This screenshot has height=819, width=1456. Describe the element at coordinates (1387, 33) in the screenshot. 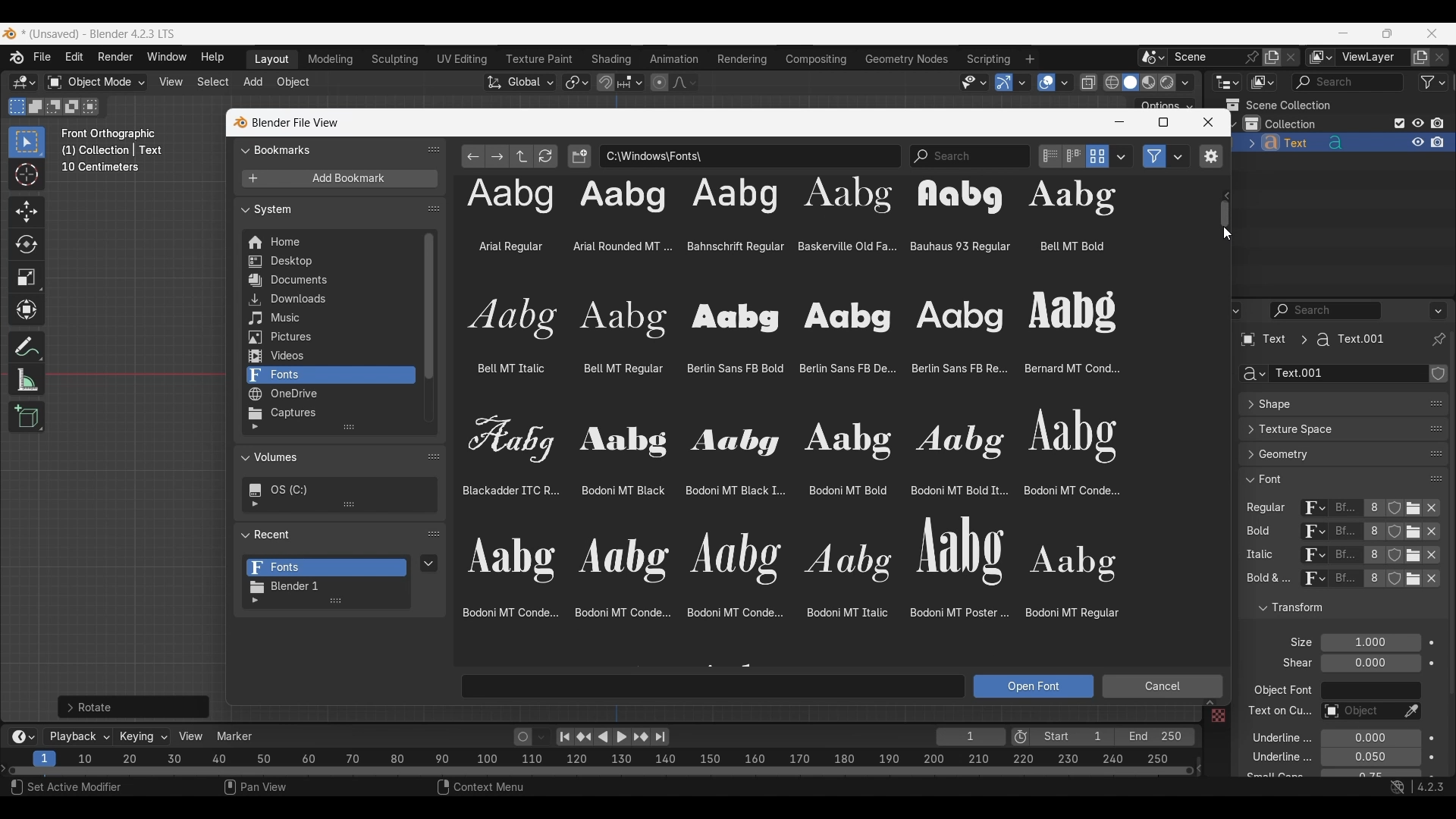

I see `Show interface in a smaller tab` at that location.